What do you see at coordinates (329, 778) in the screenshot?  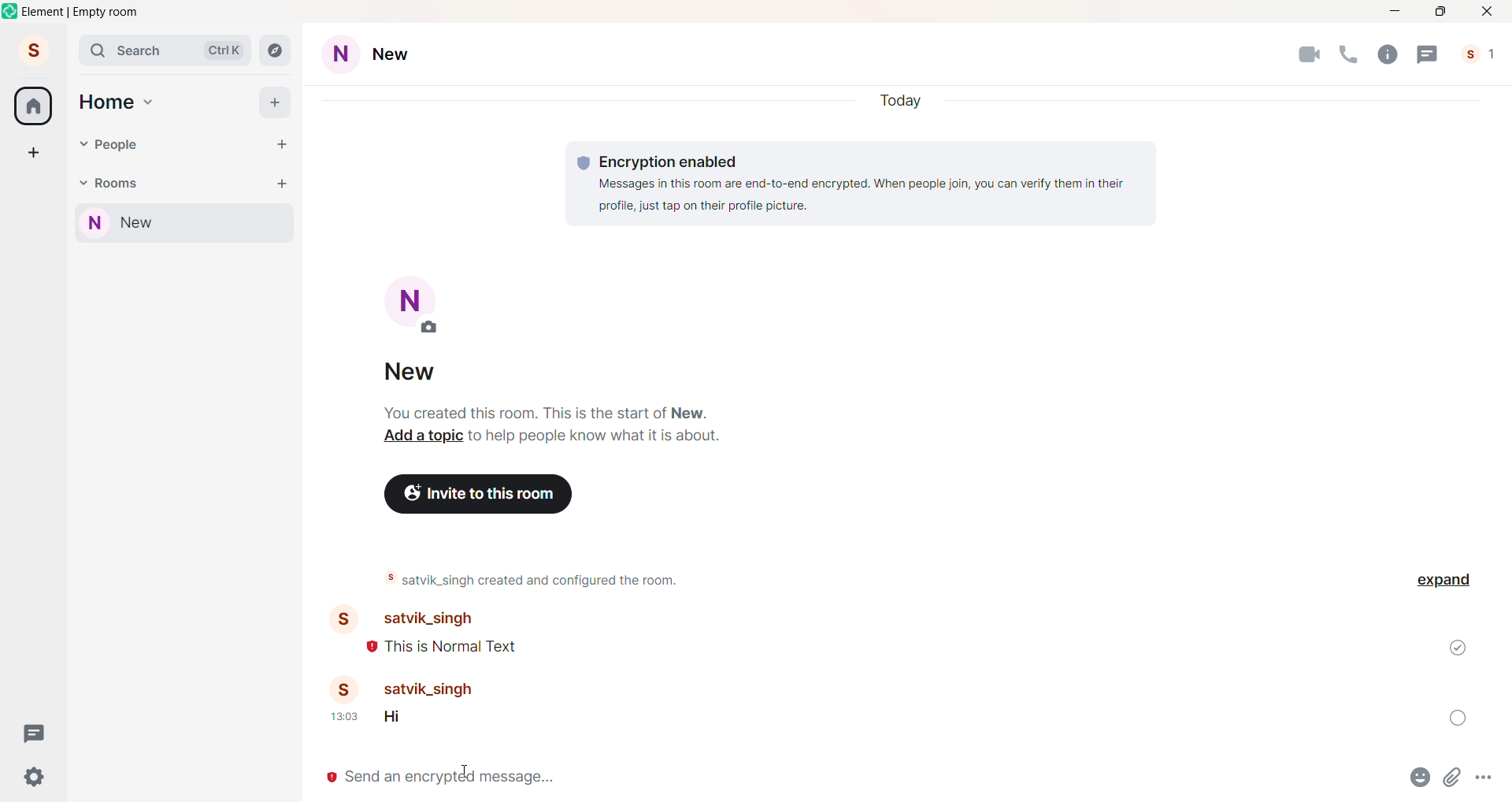 I see `Not Encrypted` at bounding box center [329, 778].